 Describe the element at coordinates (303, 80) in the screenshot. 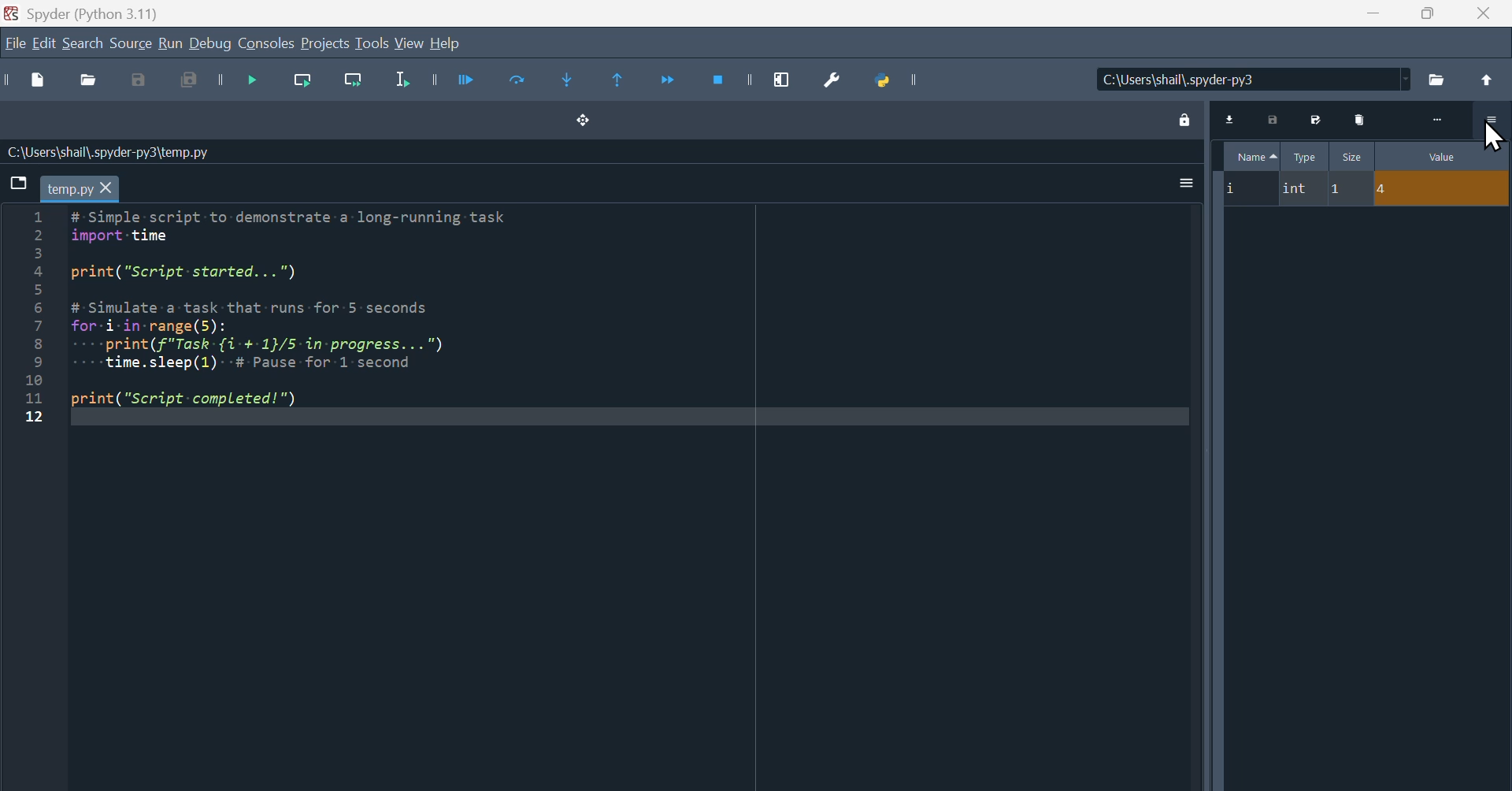

I see `Run current line` at that location.